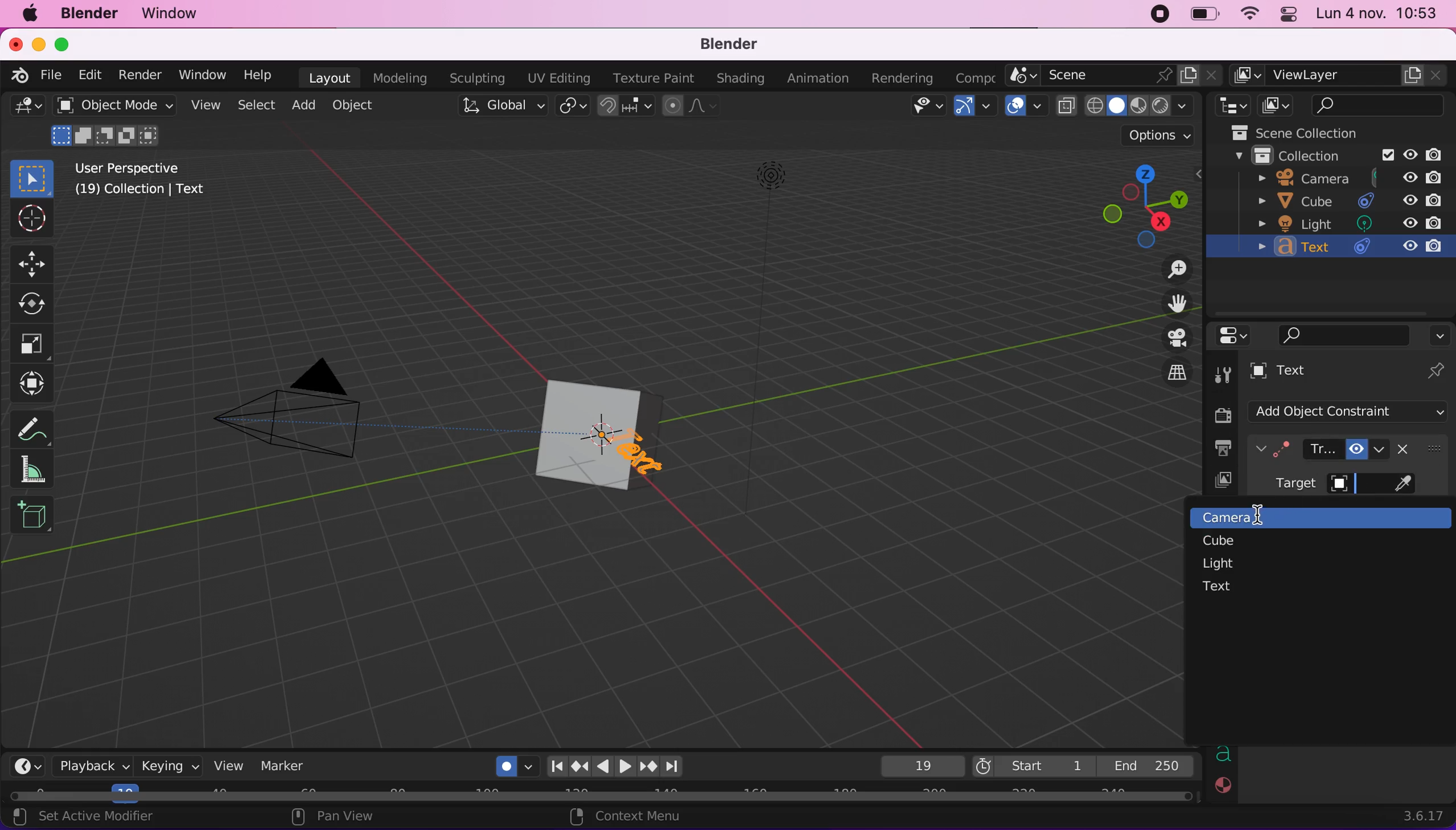 Image resolution: width=1456 pixels, height=830 pixels. Describe the element at coordinates (263, 76) in the screenshot. I see `help` at that location.